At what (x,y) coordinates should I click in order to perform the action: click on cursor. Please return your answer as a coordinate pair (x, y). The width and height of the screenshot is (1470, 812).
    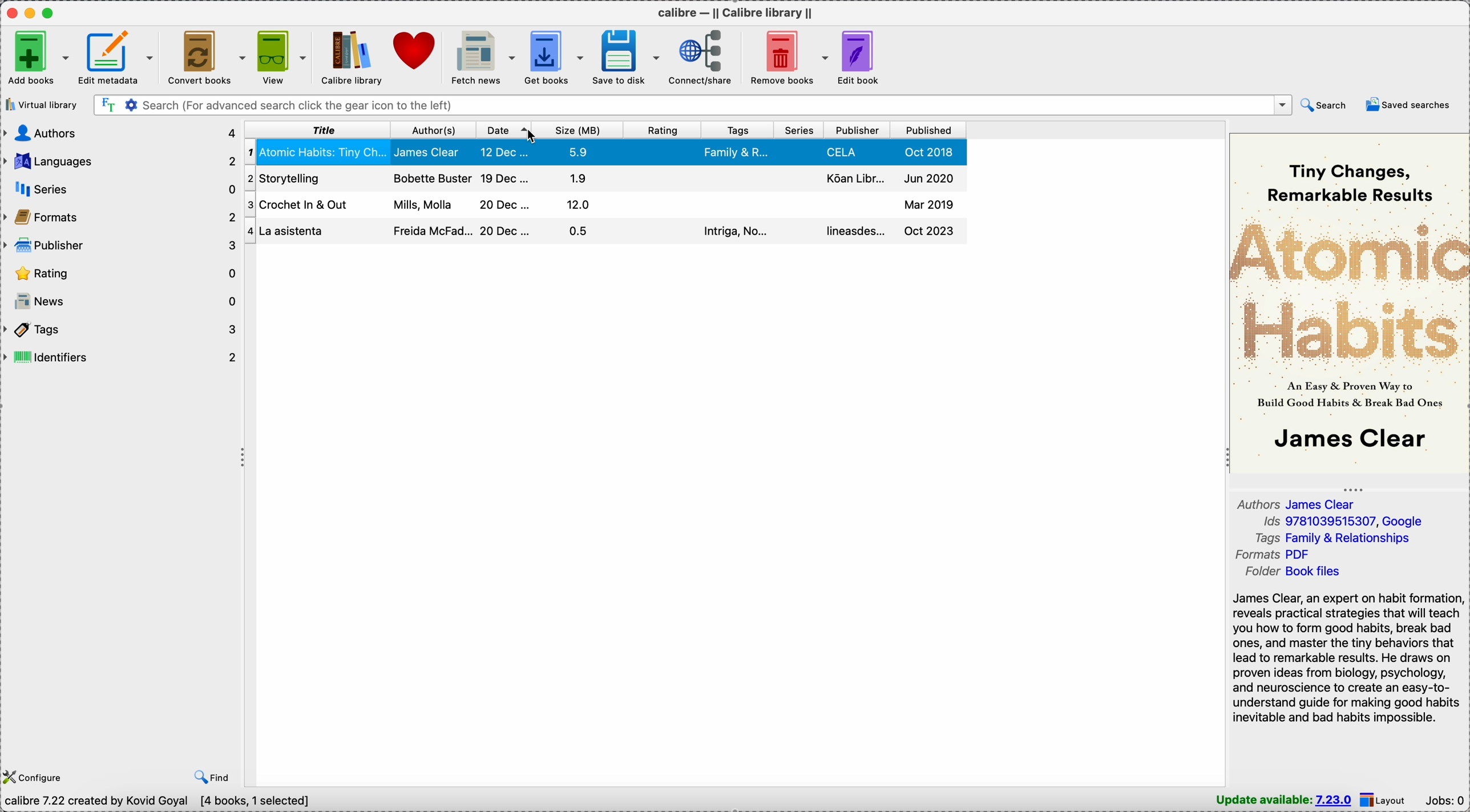
    Looking at the image, I should click on (529, 136).